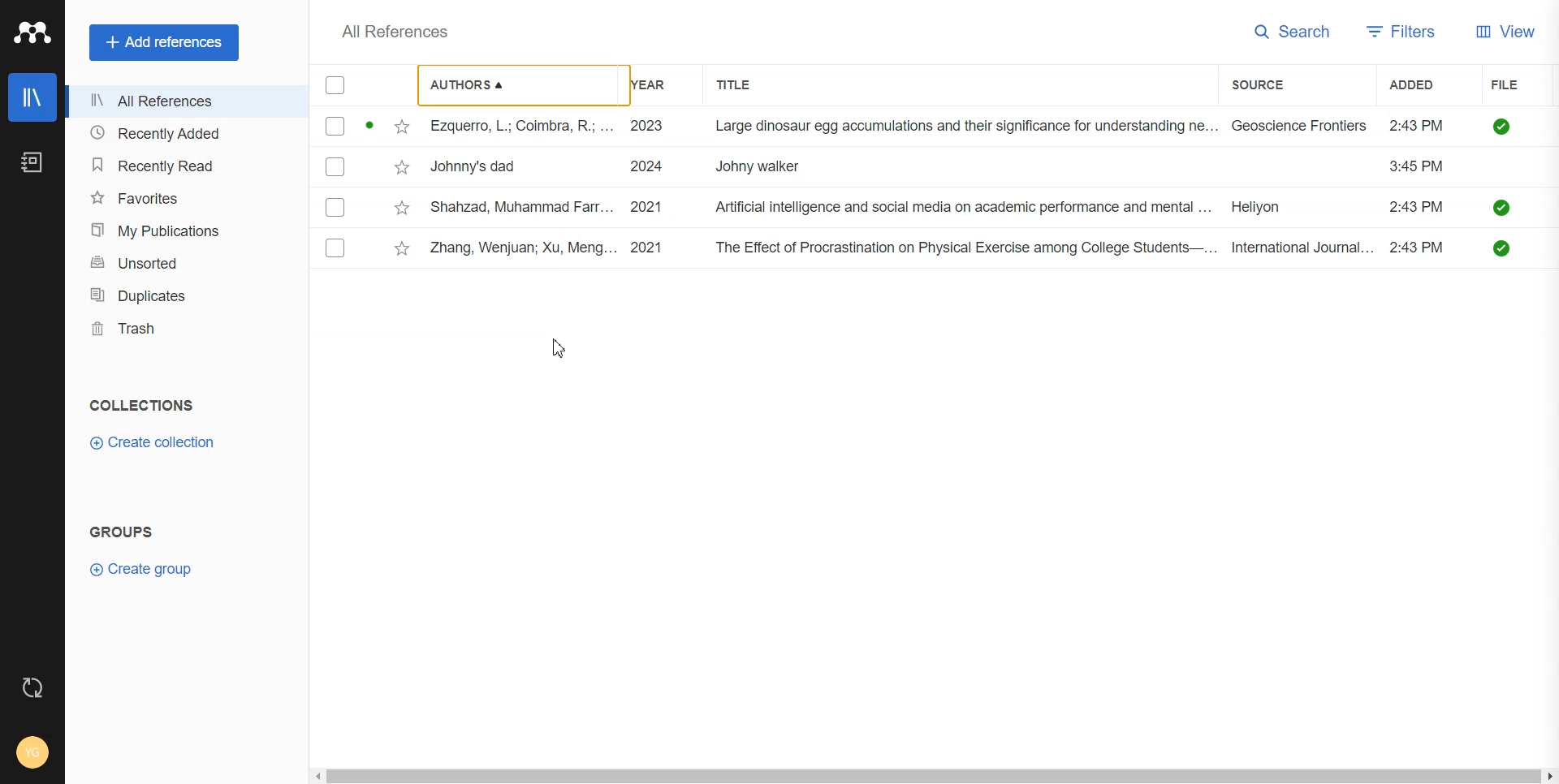 The image size is (1559, 784). What do you see at coordinates (322, 778) in the screenshot?
I see `Scroll left` at bounding box center [322, 778].